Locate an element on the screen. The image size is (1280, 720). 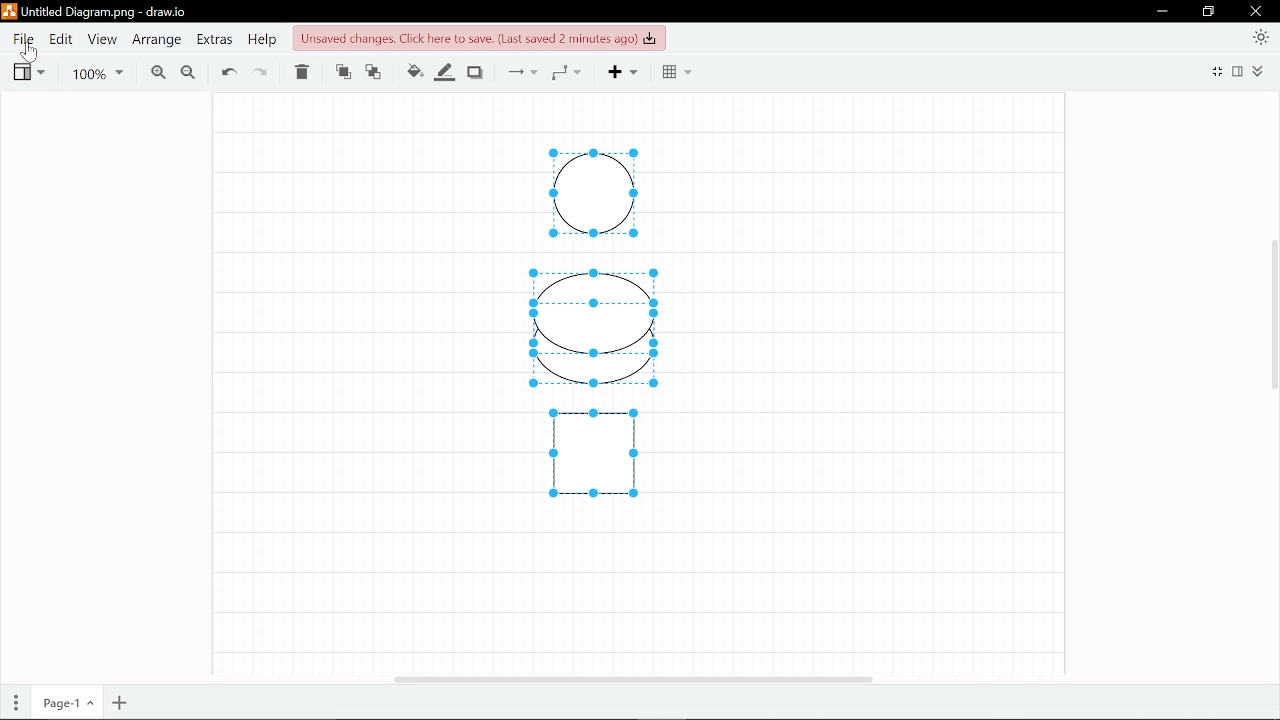
Add page is located at coordinates (120, 703).